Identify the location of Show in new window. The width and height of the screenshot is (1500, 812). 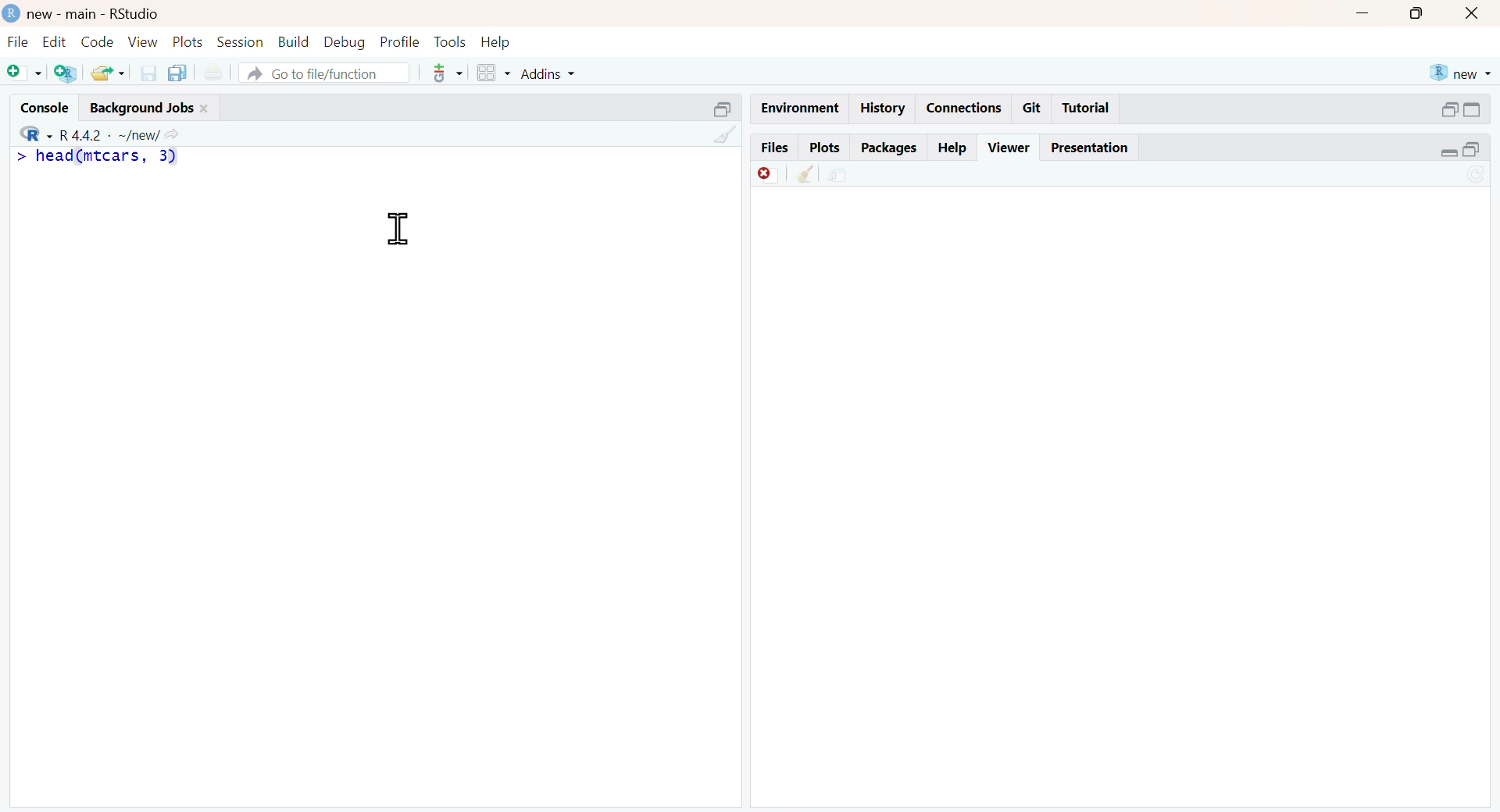
(837, 173).